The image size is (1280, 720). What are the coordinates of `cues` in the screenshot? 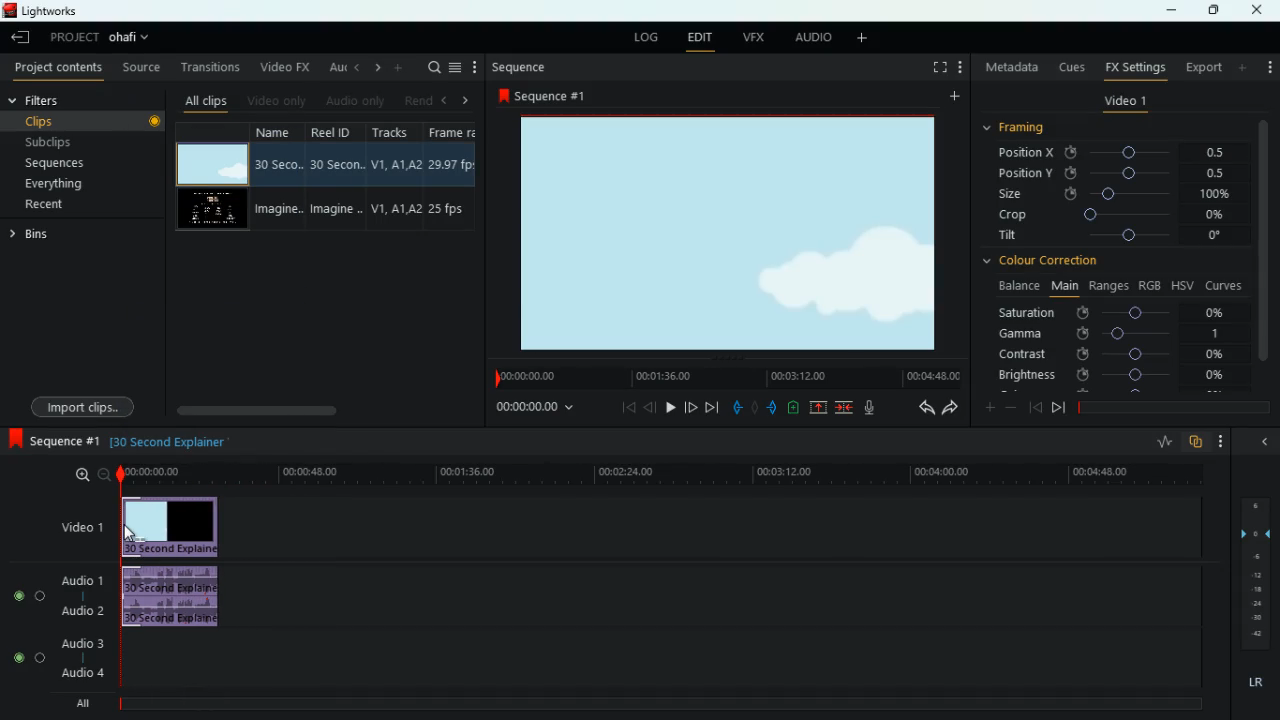 It's located at (1066, 66).